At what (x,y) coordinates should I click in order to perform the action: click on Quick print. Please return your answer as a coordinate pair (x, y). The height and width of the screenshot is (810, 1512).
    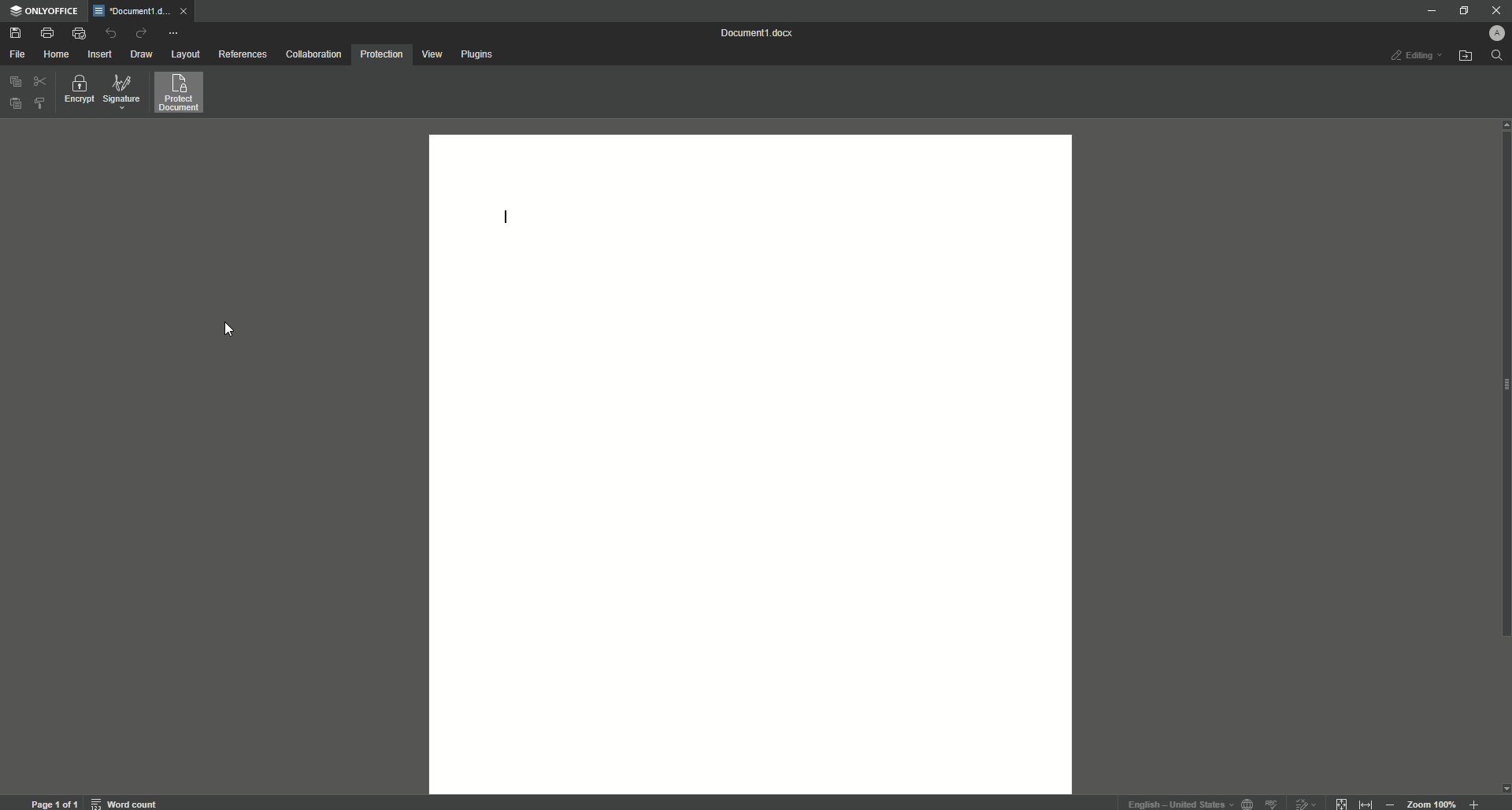
    Looking at the image, I should click on (79, 33).